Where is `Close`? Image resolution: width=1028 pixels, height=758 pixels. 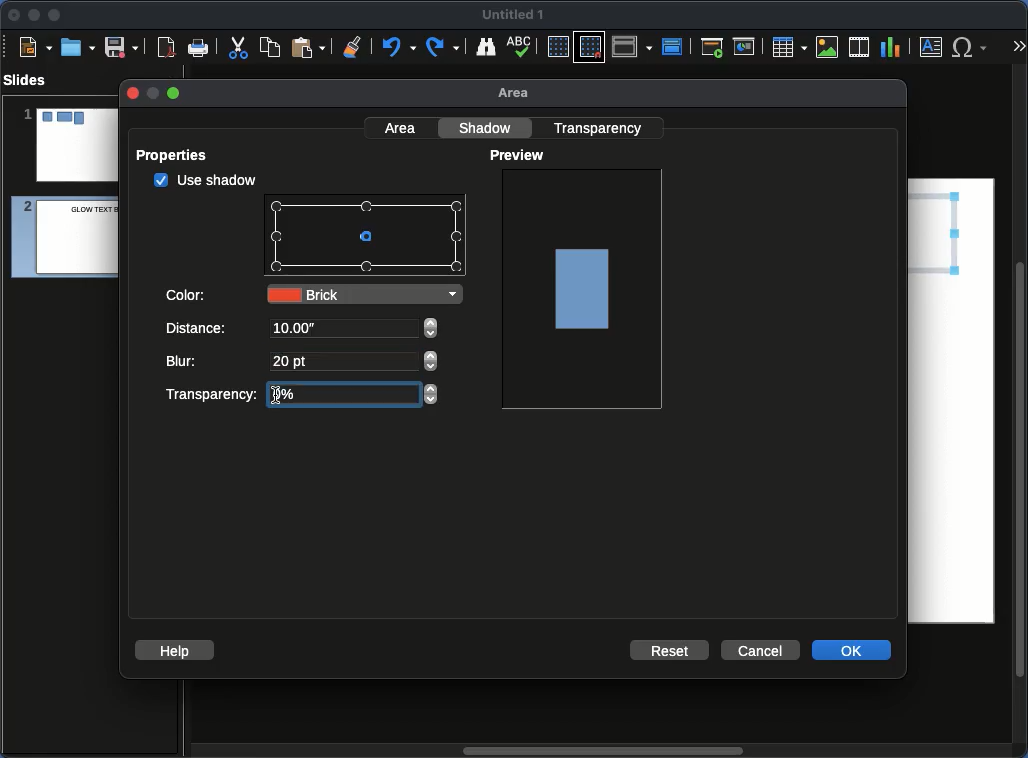
Close is located at coordinates (15, 15).